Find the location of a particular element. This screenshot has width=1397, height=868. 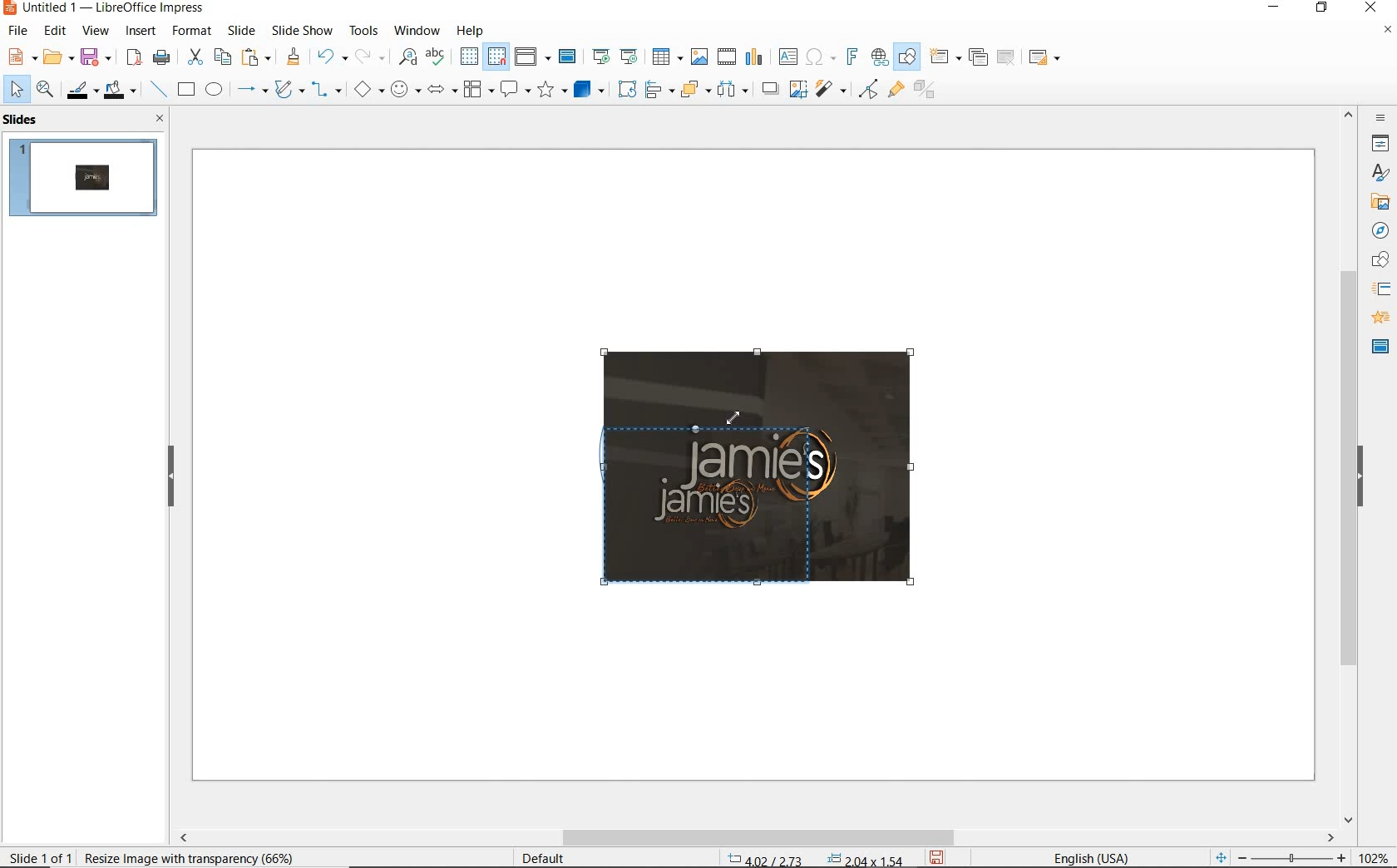

slides is located at coordinates (24, 120).